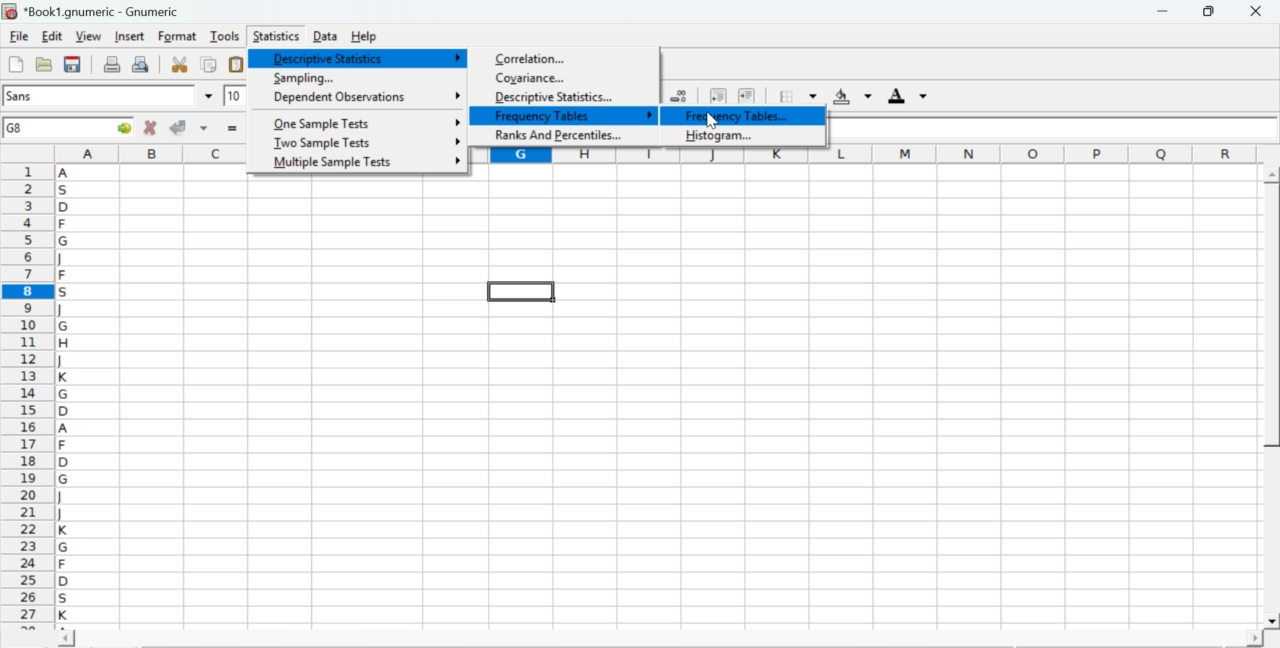  I want to click on cursor, so click(711, 120).